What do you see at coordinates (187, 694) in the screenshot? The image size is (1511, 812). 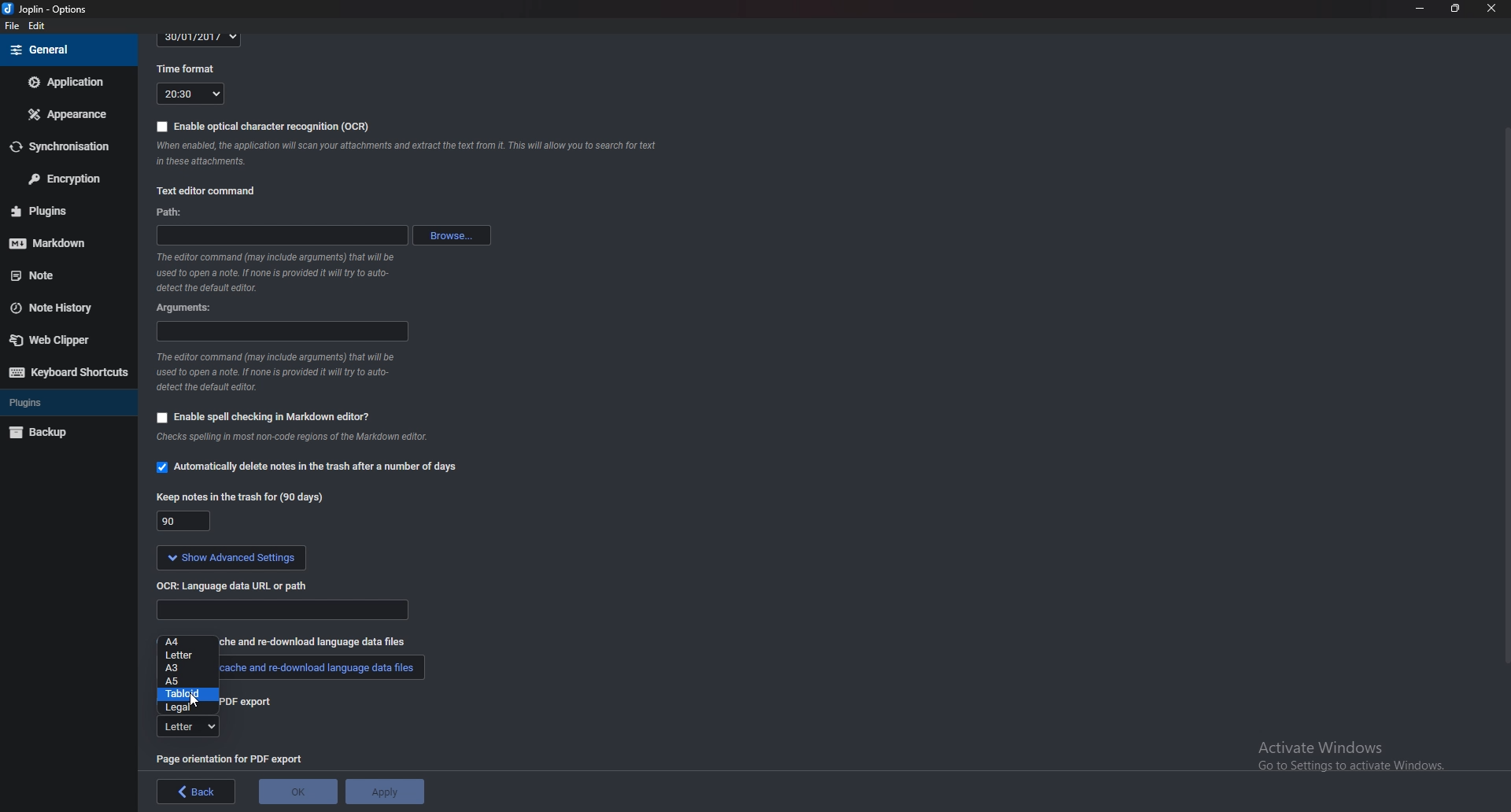 I see `Tabloid` at bounding box center [187, 694].